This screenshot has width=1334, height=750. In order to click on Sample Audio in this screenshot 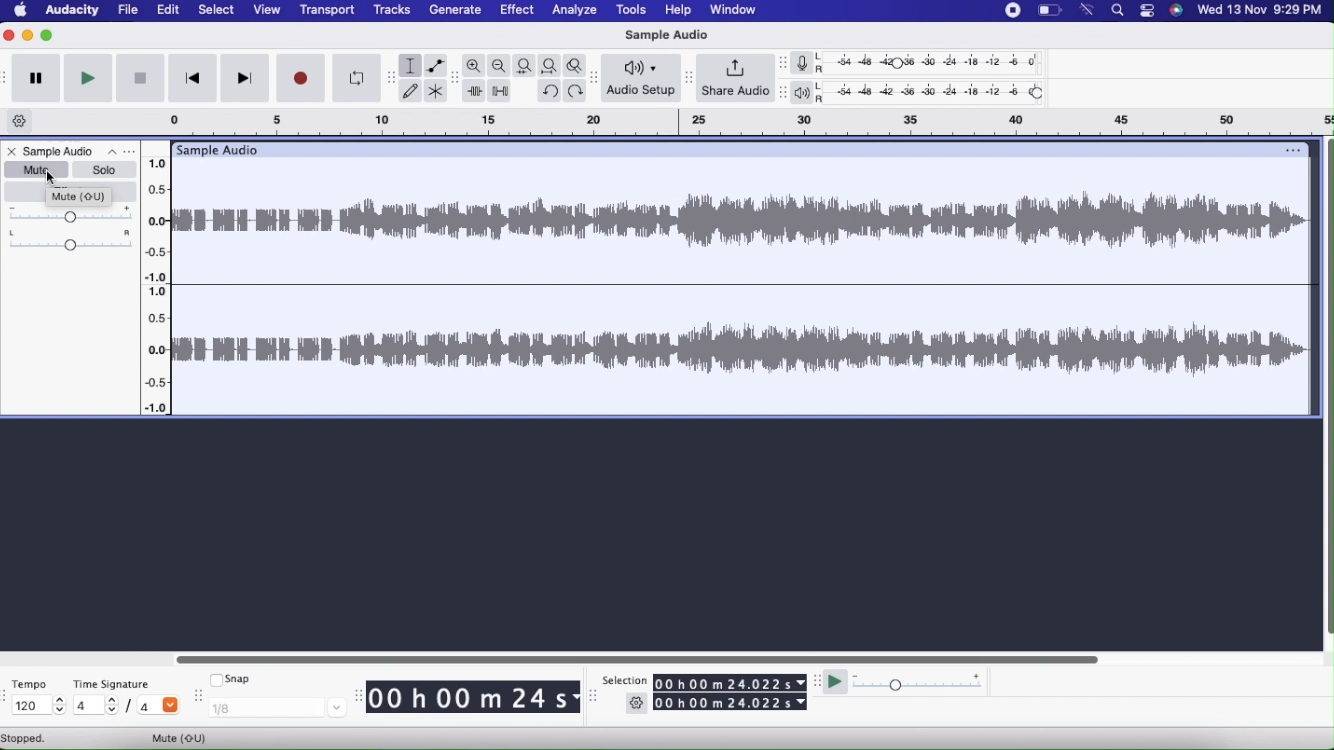, I will do `click(672, 33)`.